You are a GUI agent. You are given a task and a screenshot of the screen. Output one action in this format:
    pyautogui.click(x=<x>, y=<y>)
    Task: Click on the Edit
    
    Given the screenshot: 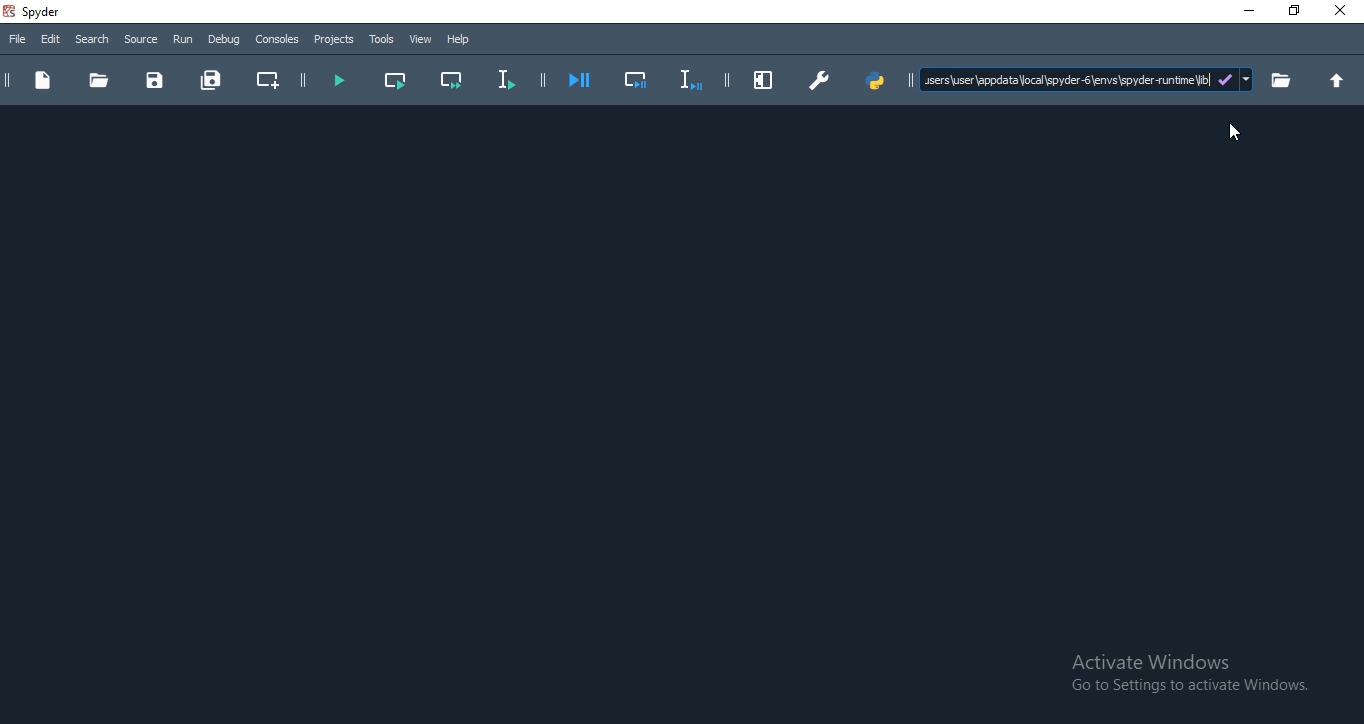 What is the action you would take?
    pyautogui.click(x=51, y=40)
    